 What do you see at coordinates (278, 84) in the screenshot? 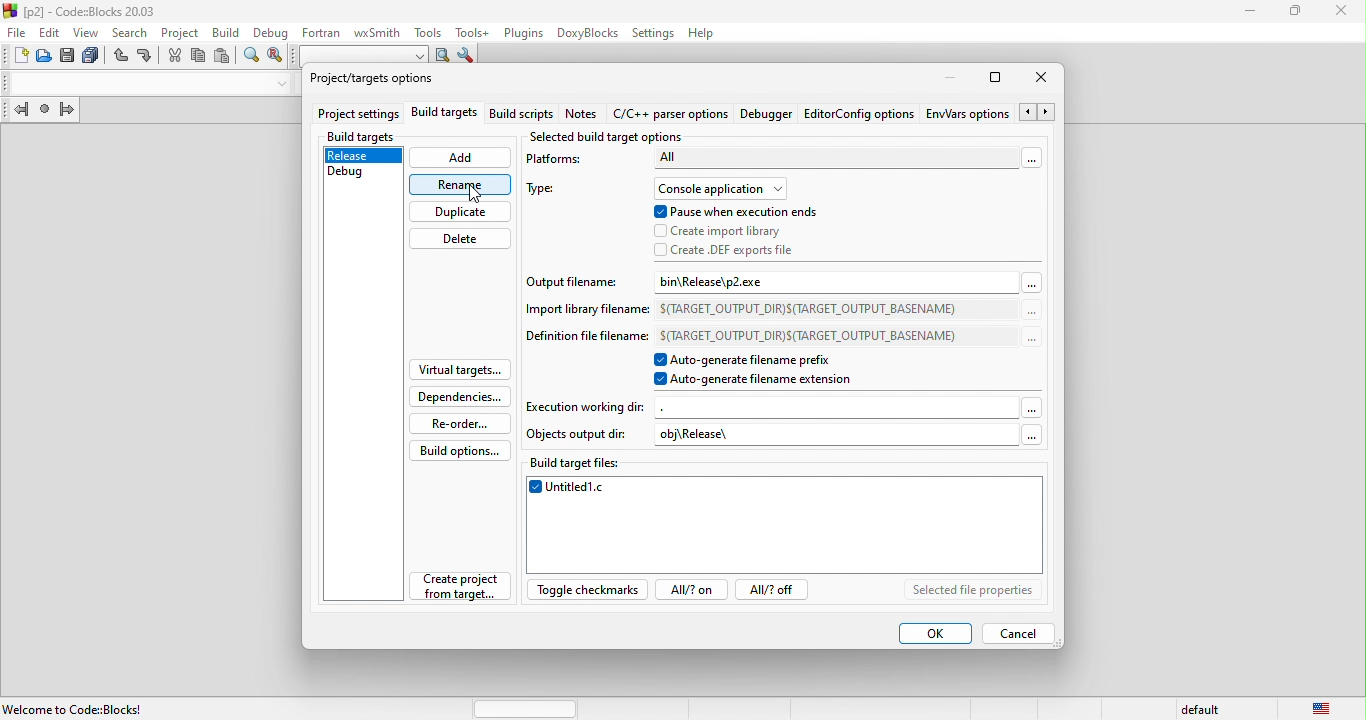
I see `drop down` at bounding box center [278, 84].